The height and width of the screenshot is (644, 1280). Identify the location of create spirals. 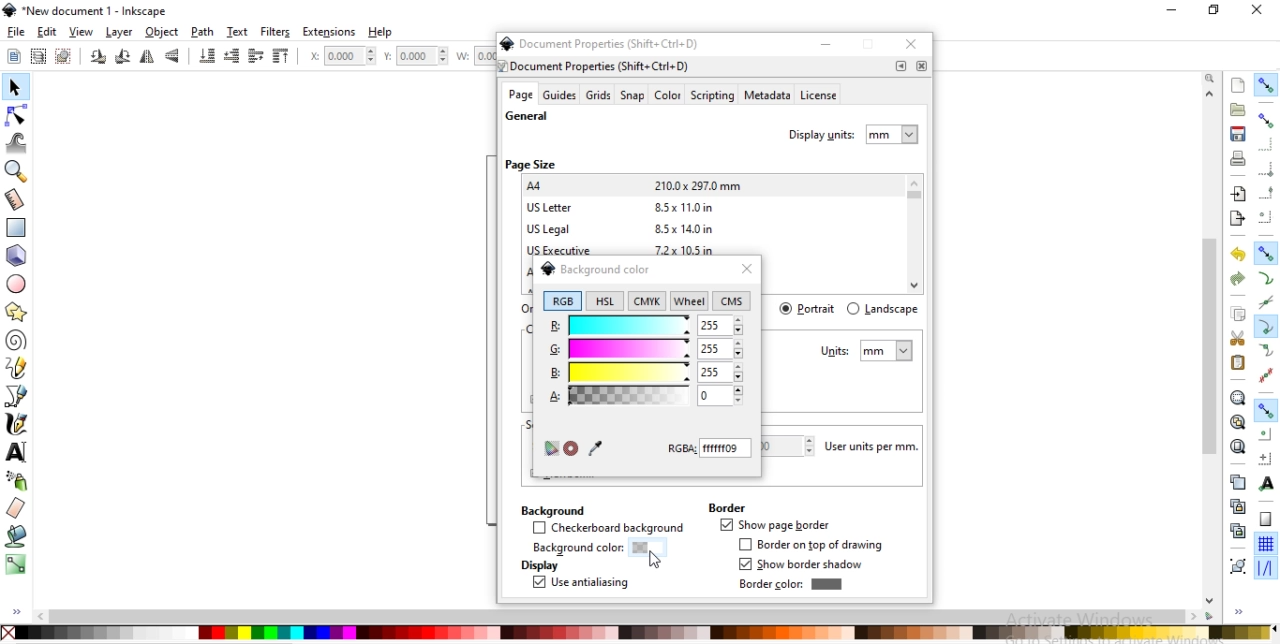
(16, 341).